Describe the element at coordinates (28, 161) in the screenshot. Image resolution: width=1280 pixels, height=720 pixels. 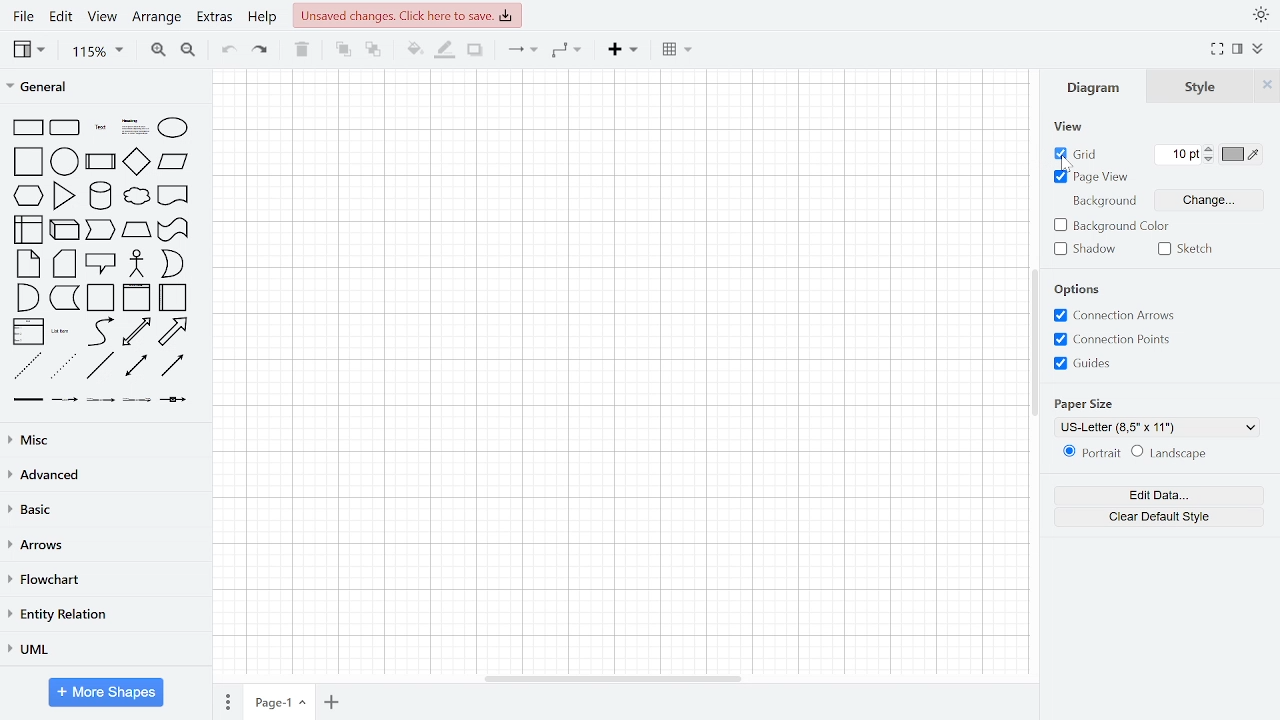
I see `square` at that location.